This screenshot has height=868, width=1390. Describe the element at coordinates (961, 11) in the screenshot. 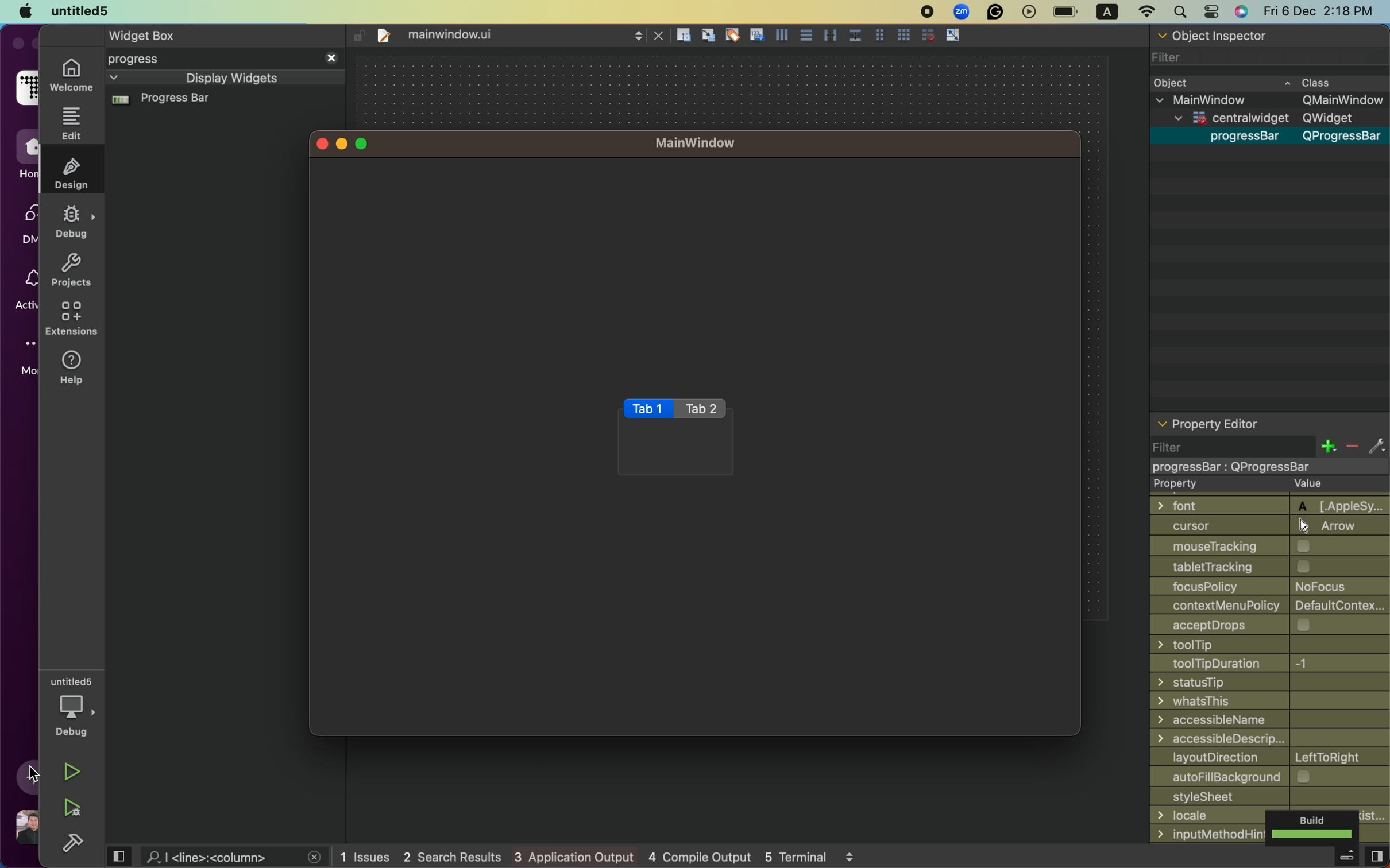

I see `zm` at that location.